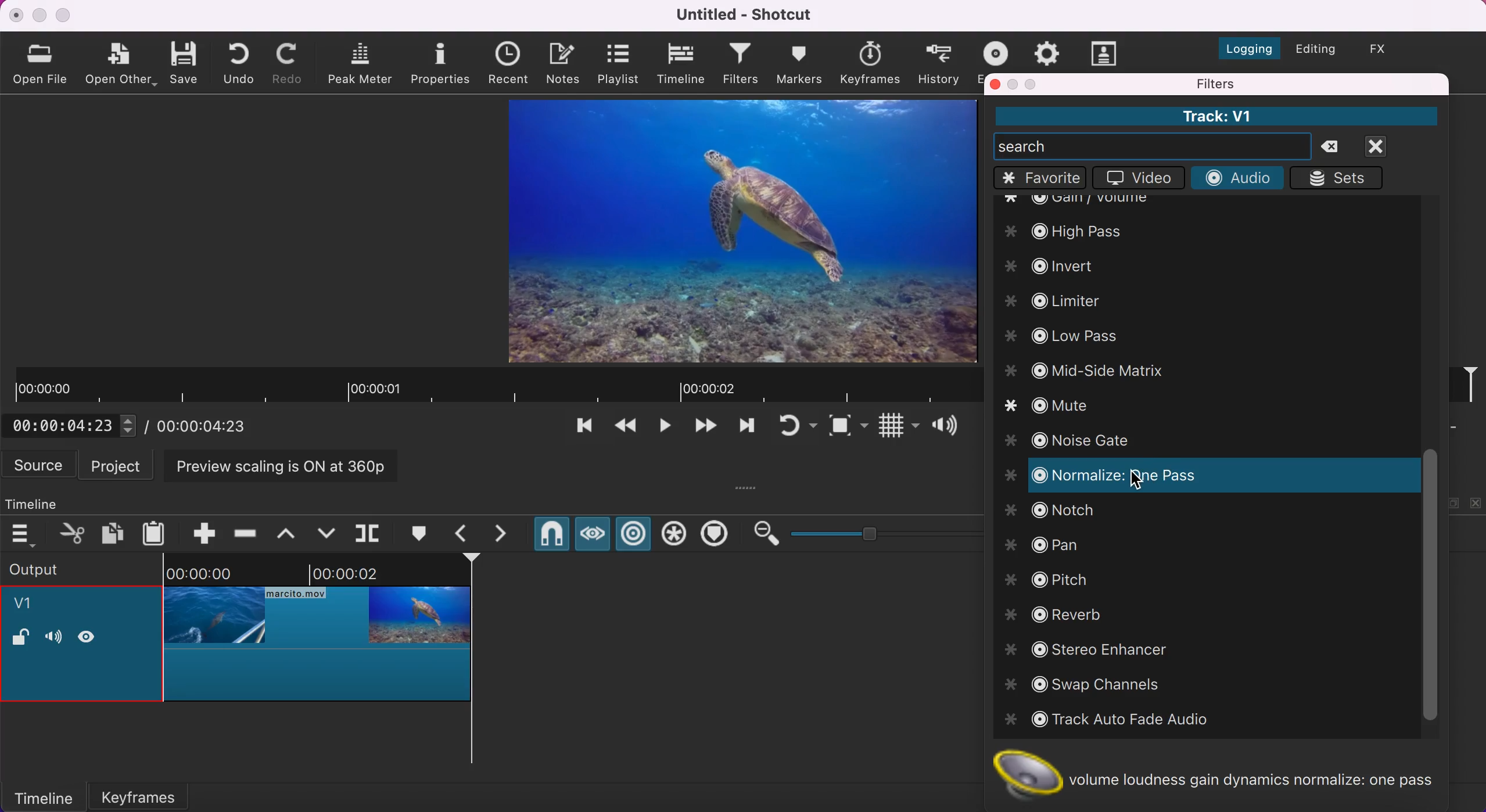  Describe the element at coordinates (940, 63) in the screenshot. I see `history` at that location.